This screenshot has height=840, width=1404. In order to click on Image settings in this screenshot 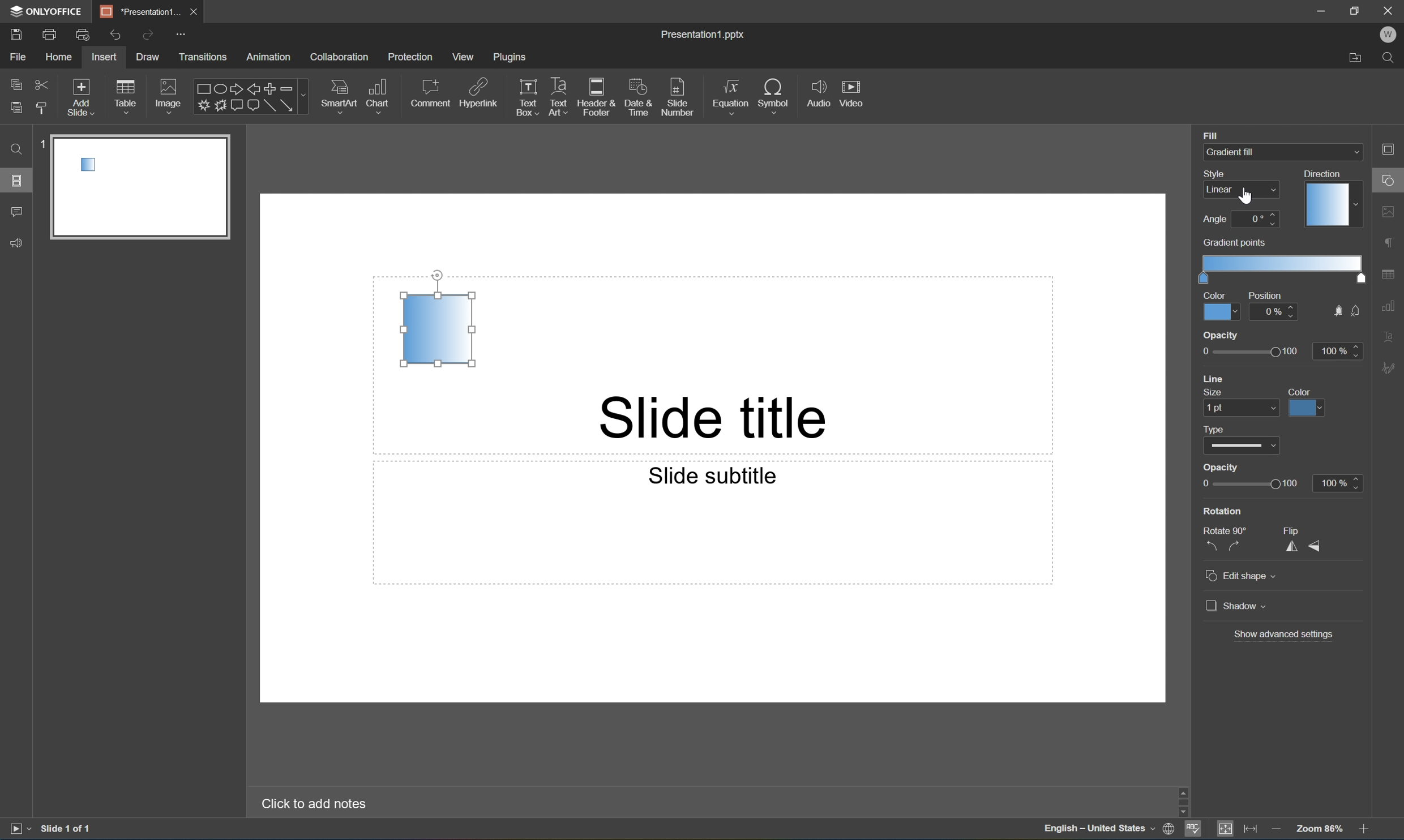, I will do `click(1392, 209)`.